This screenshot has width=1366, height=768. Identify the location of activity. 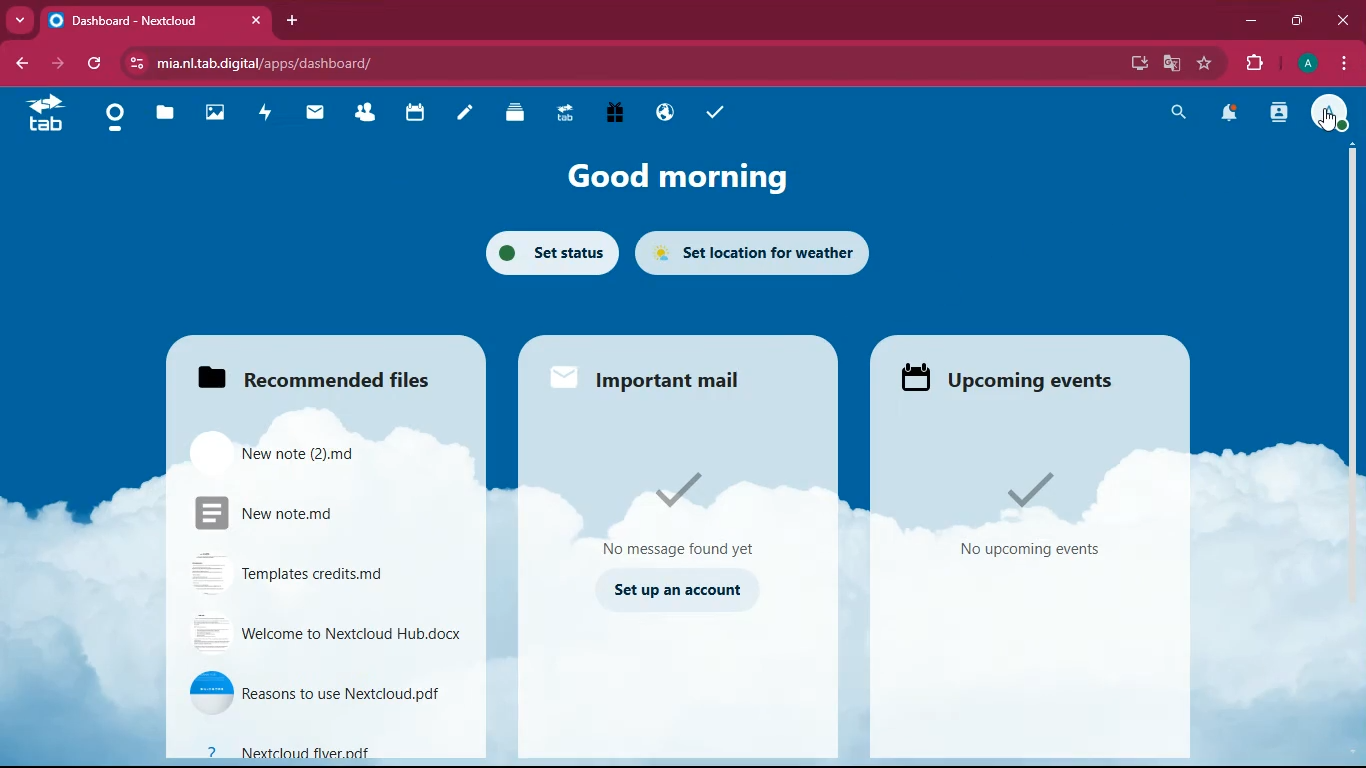
(270, 114).